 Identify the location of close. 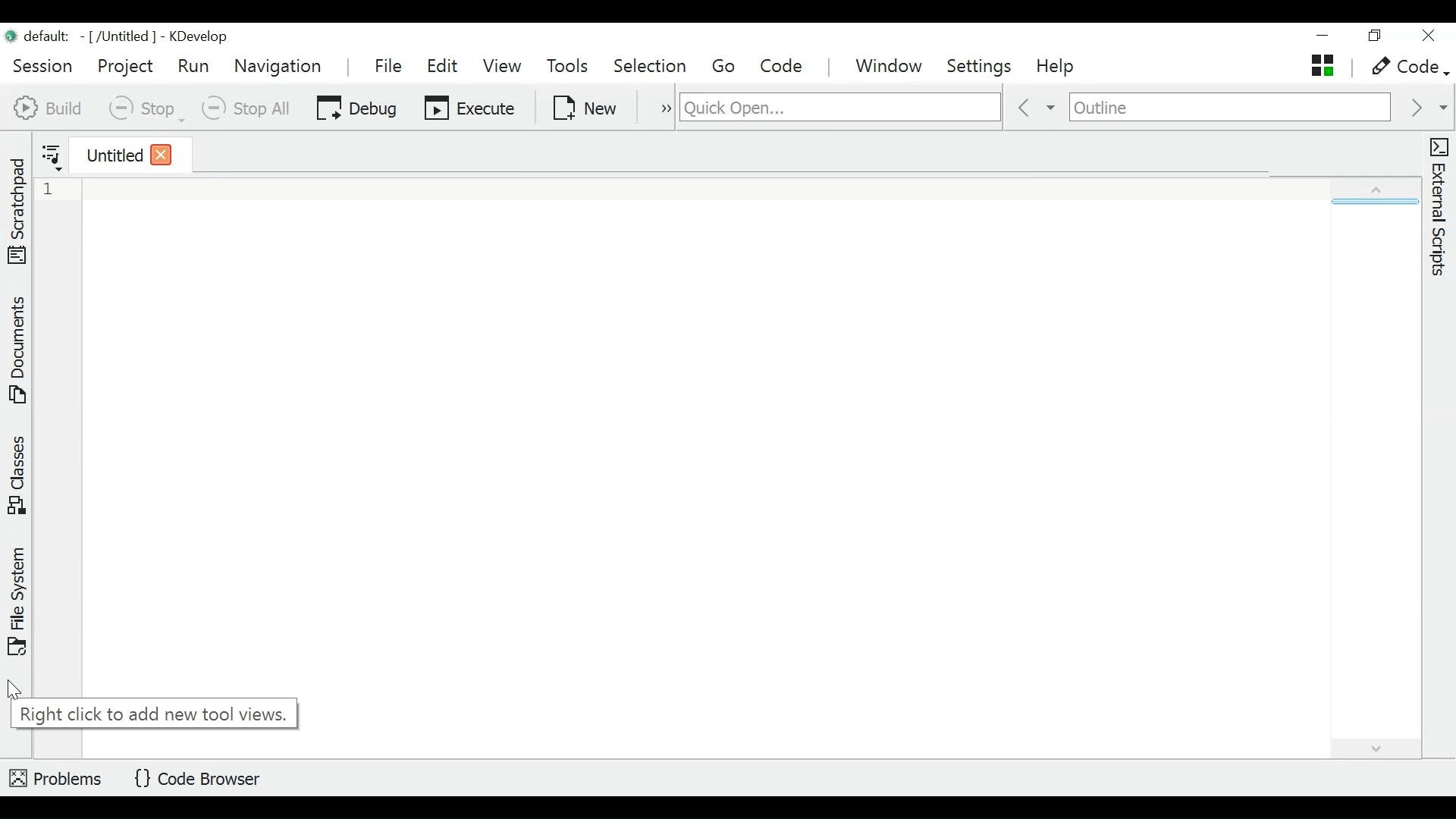
(1430, 36).